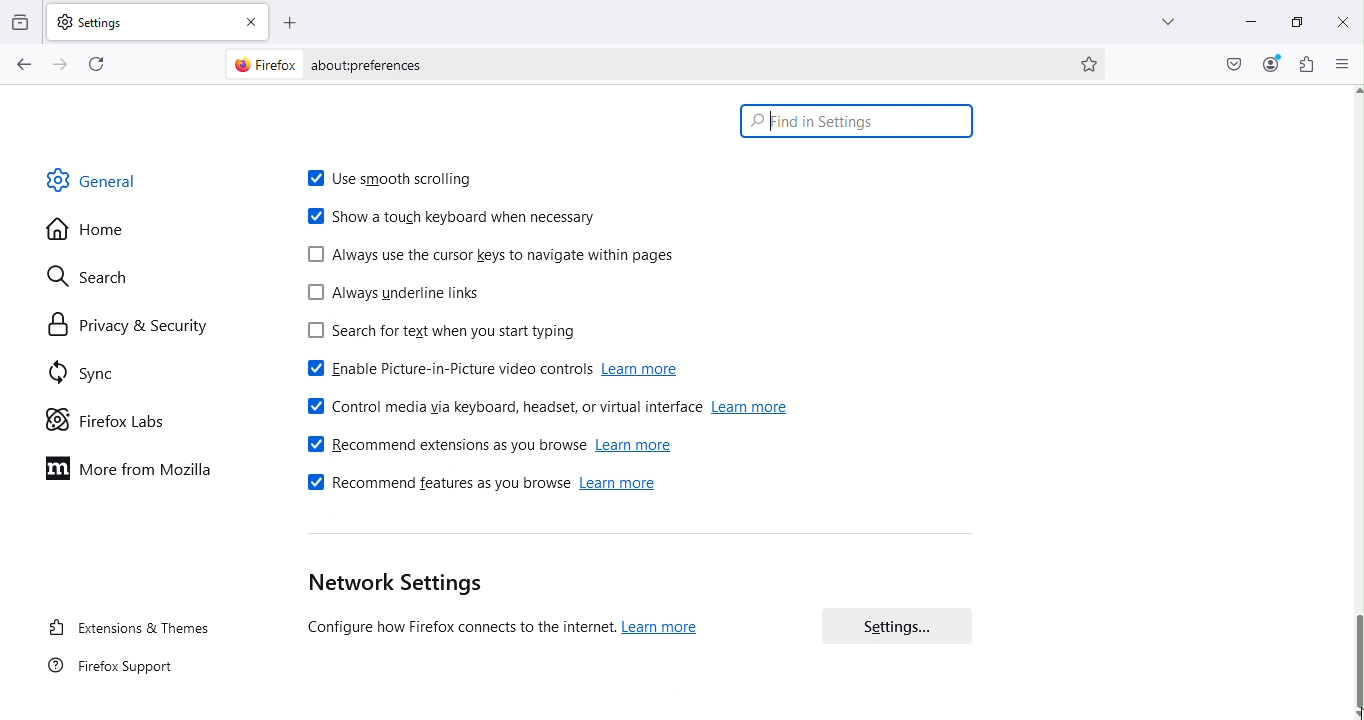 The image size is (1364, 720). What do you see at coordinates (857, 119) in the screenshot?
I see `Search bar` at bounding box center [857, 119].